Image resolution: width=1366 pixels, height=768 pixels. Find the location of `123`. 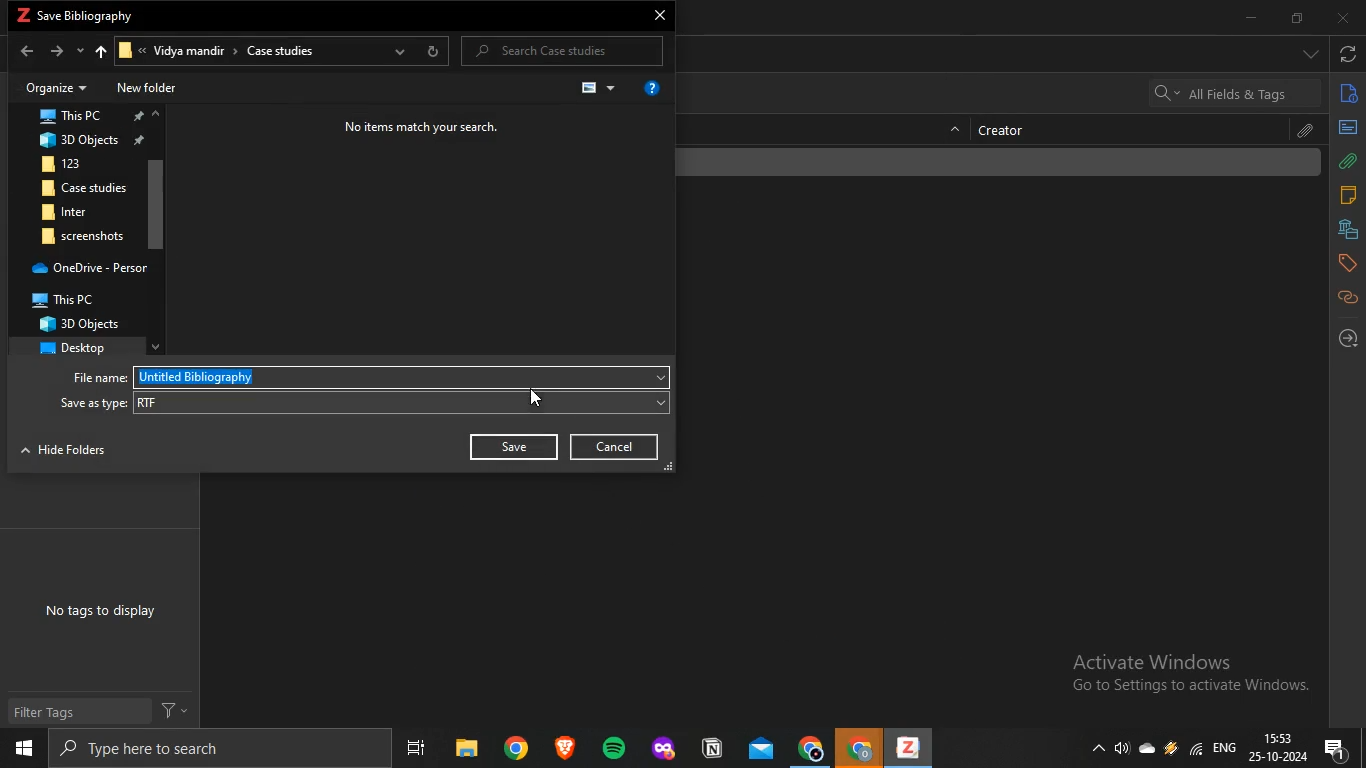

123 is located at coordinates (79, 166).